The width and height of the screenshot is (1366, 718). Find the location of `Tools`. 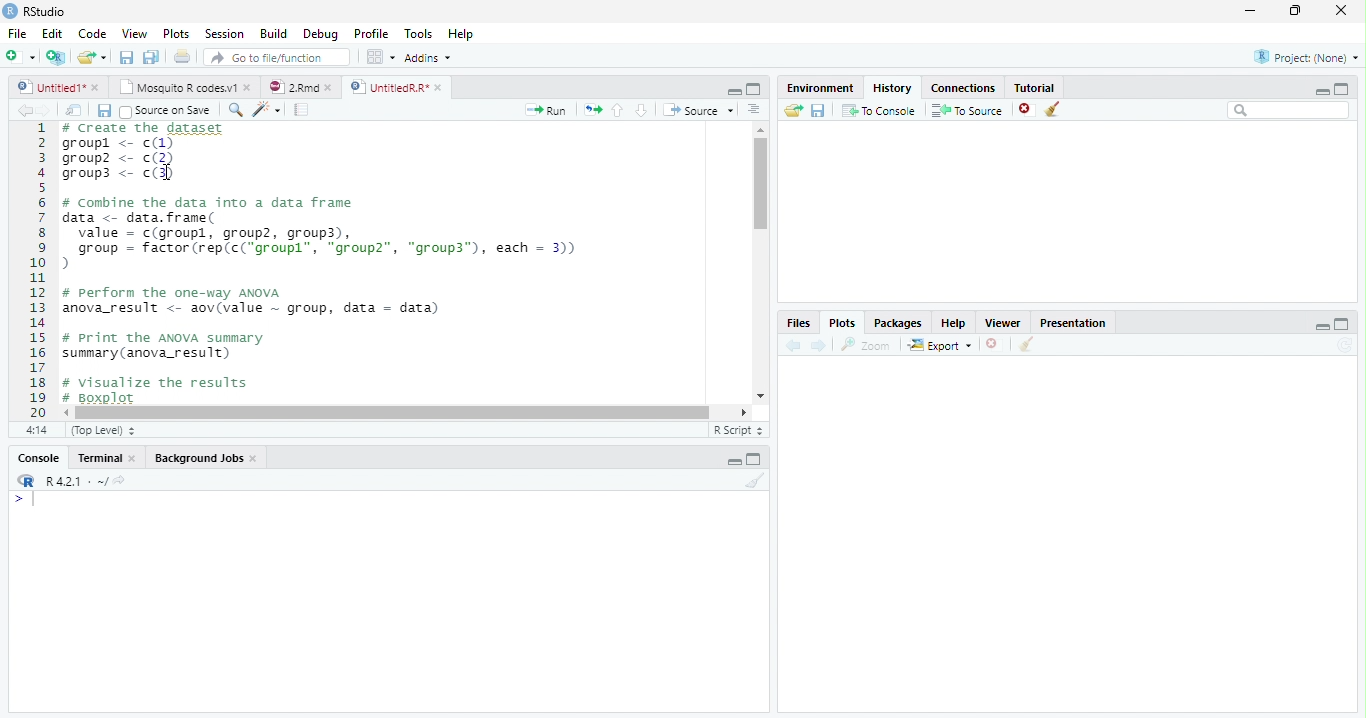

Tools is located at coordinates (420, 33).